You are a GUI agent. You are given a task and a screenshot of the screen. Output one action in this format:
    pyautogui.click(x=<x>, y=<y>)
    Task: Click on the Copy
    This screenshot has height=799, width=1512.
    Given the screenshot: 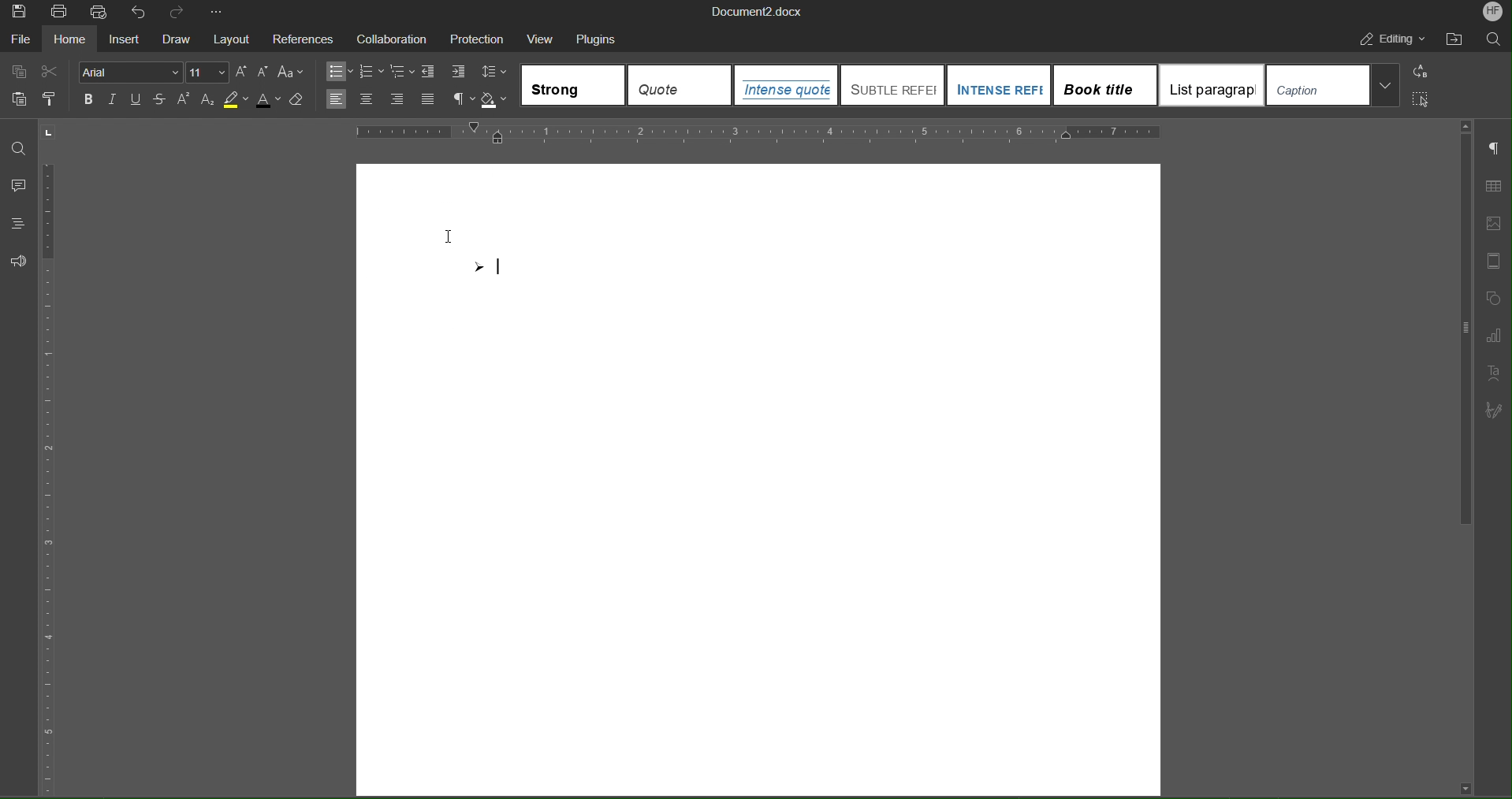 What is the action you would take?
    pyautogui.click(x=18, y=71)
    